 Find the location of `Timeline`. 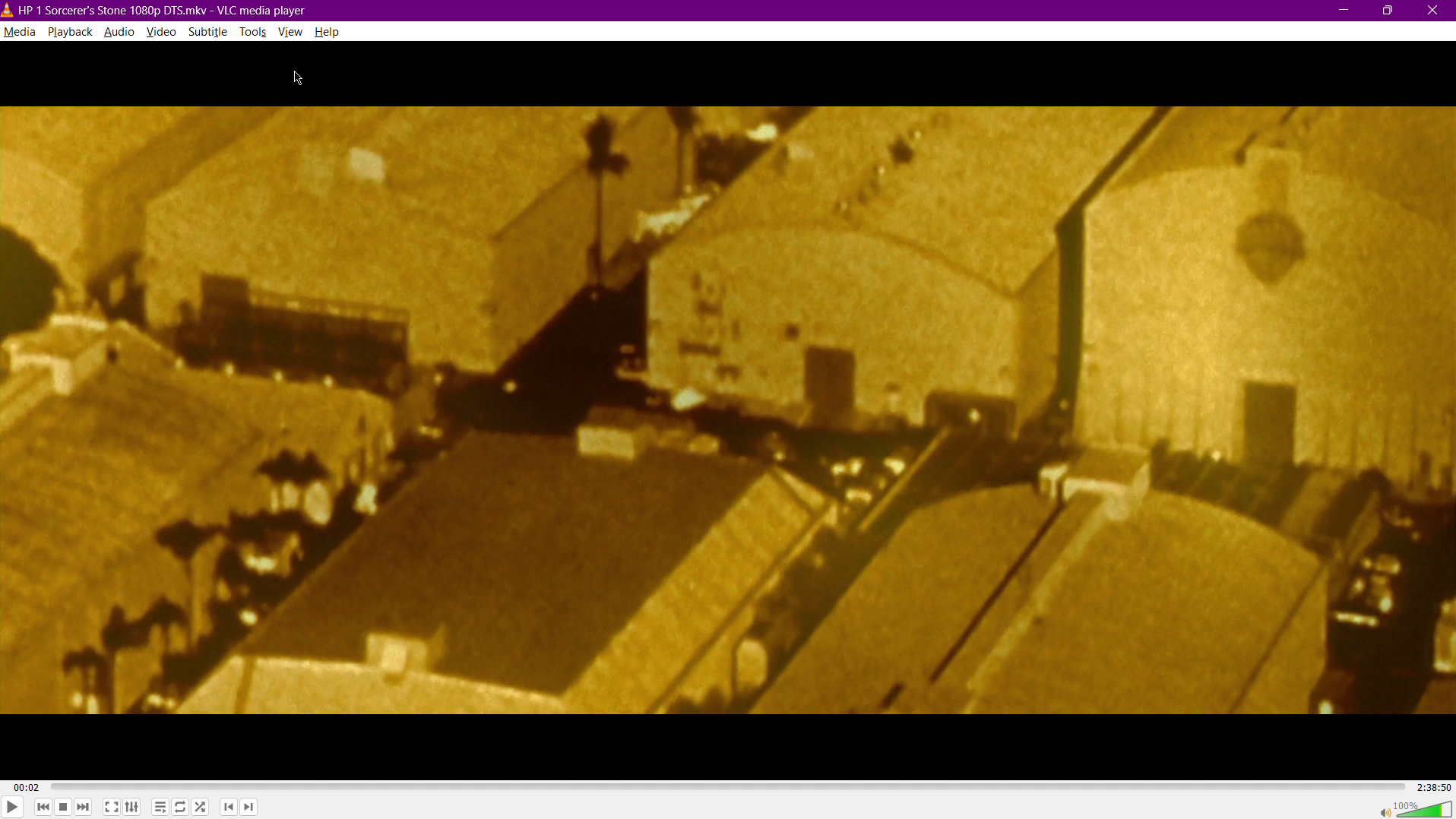

Timeline is located at coordinates (726, 786).